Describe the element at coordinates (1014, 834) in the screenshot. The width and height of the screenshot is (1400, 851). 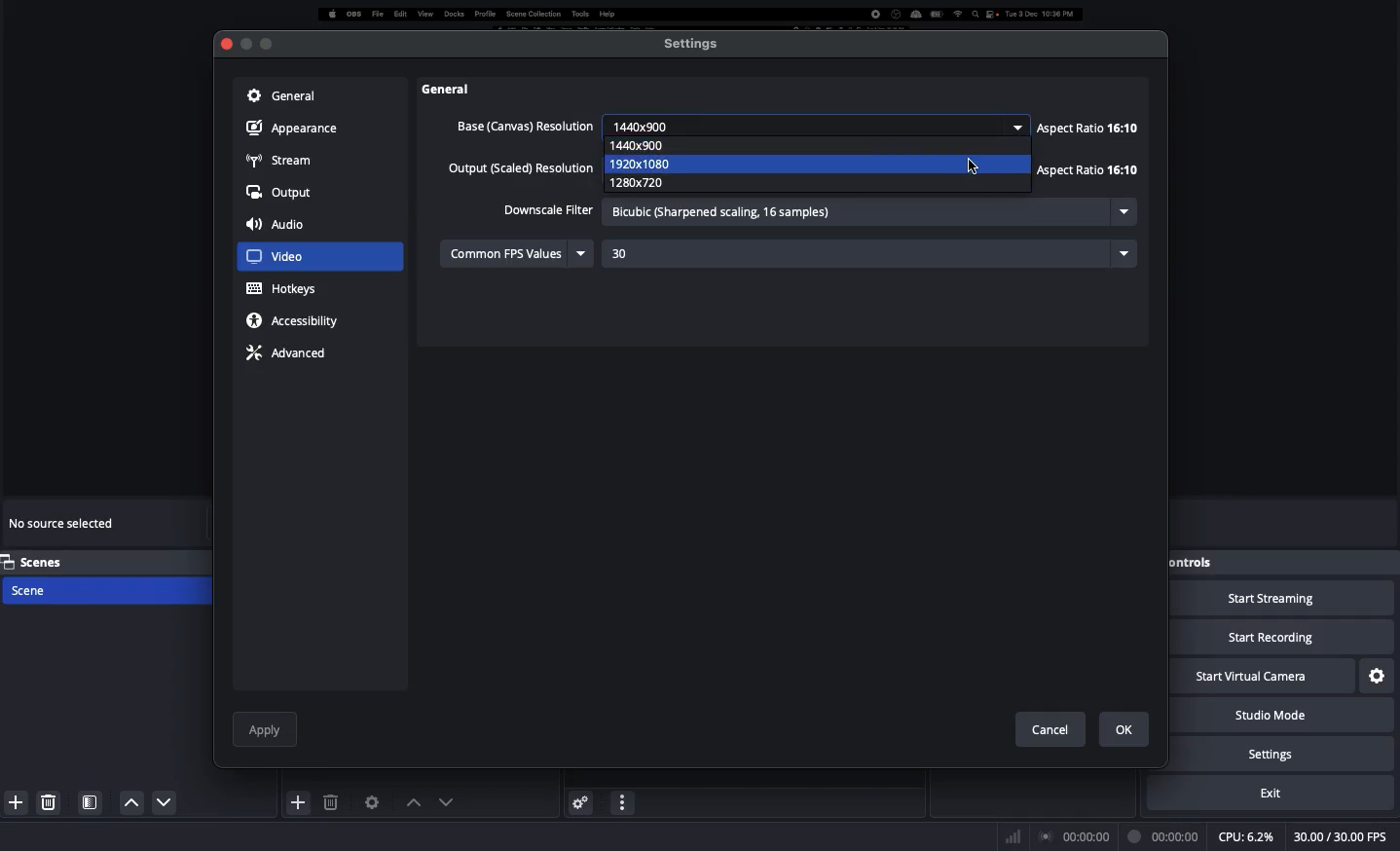
I see `Bars` at that location.